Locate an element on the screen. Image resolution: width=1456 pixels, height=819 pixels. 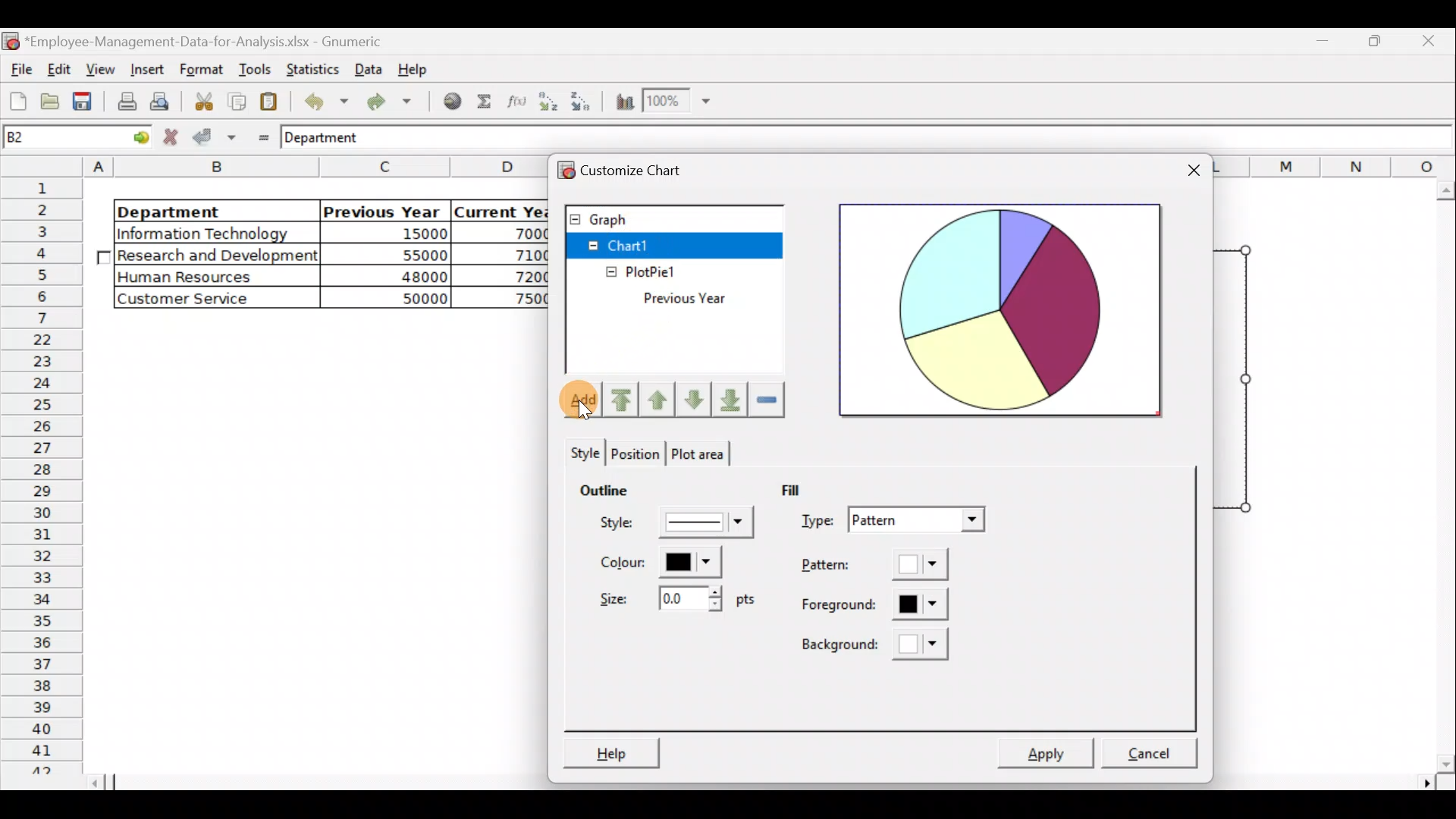
Customer Service is located at coordinates (201, 299).